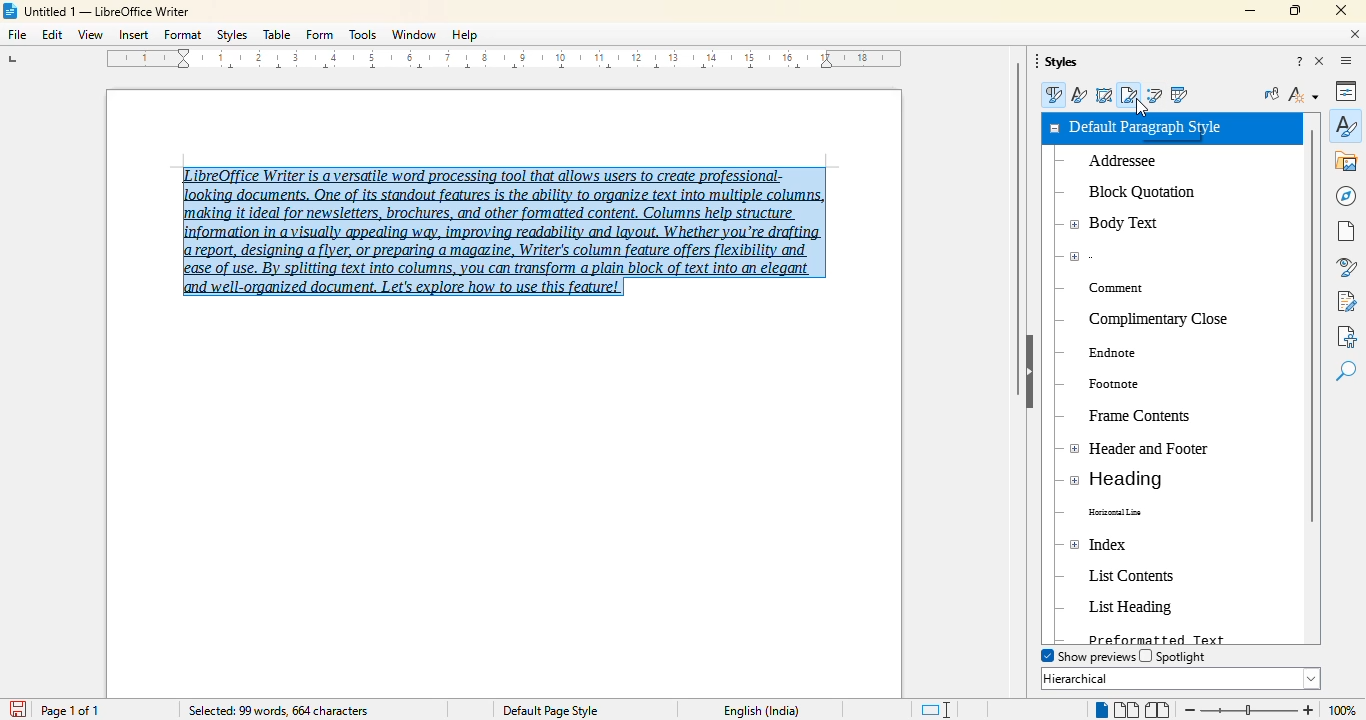 This screenshot has height=720, width=1366. What do you see at coordinates (1087, 656) in the screenshot?
I see `show previews` at bounding box center [1087, 656].